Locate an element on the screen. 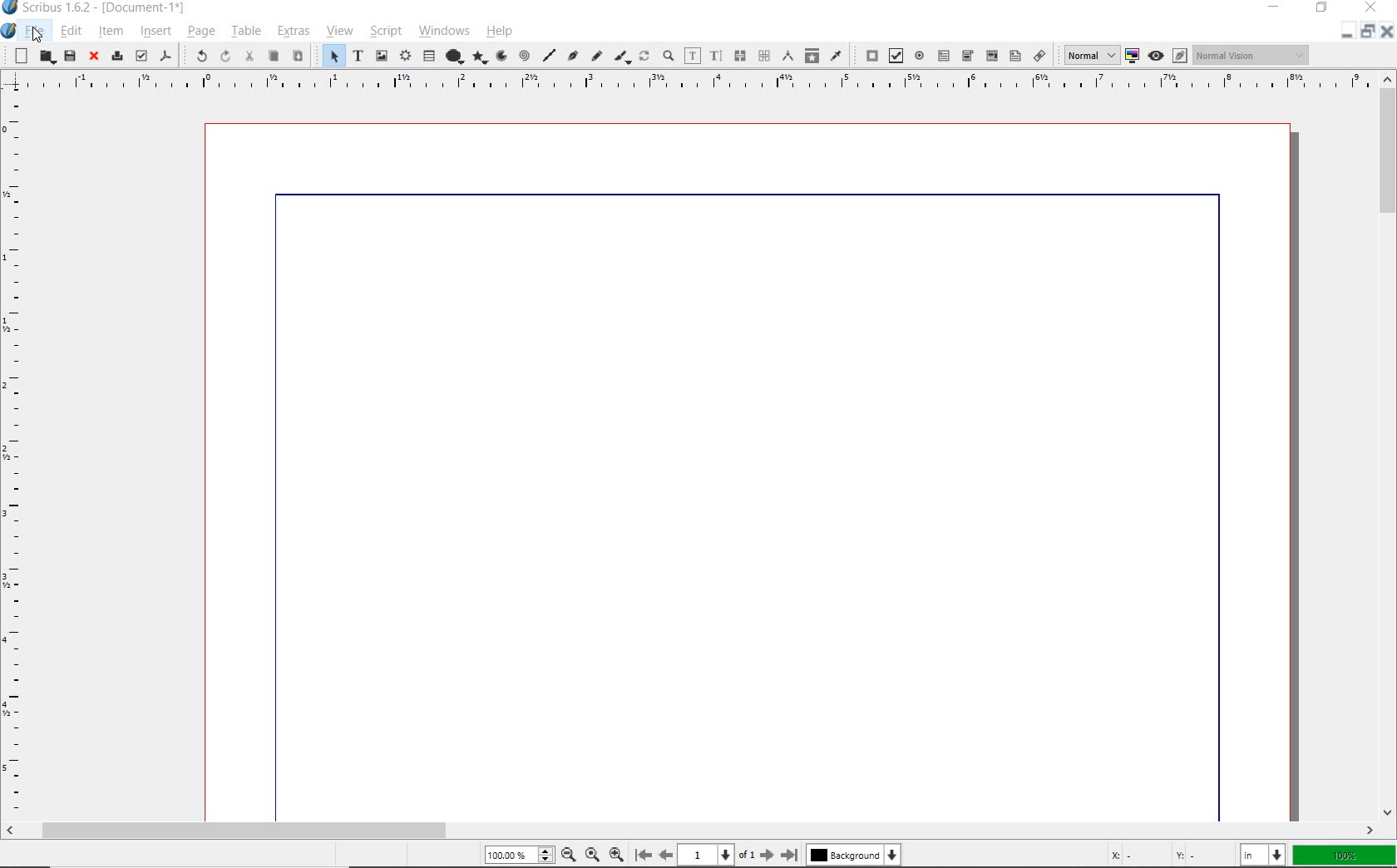  Background is located at coordinates (853, 856).